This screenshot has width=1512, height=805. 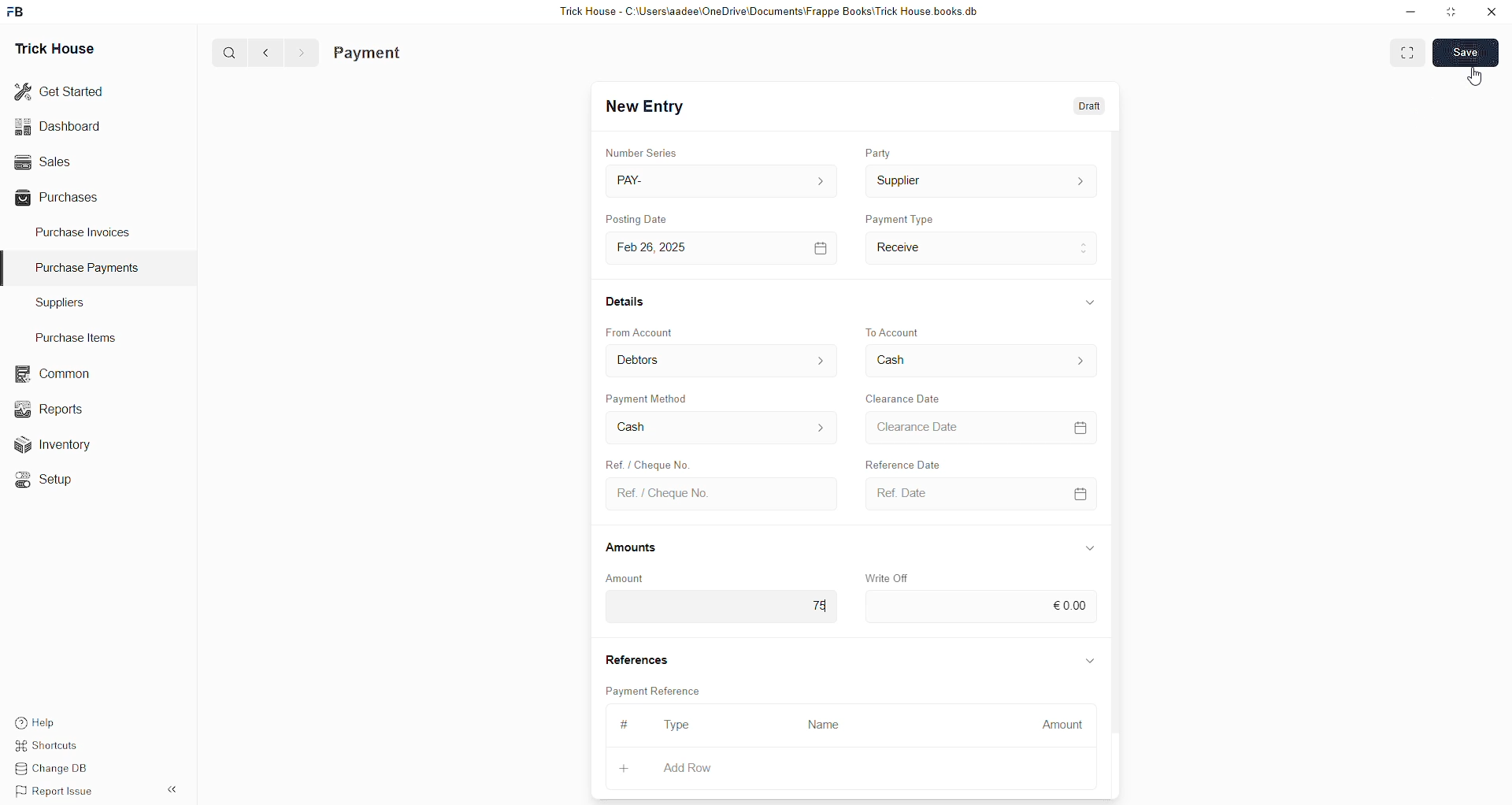 What do you see at coordinates (648, 217) in the screenshot?
I see `Posting Date` at bounding box center [648, 217].